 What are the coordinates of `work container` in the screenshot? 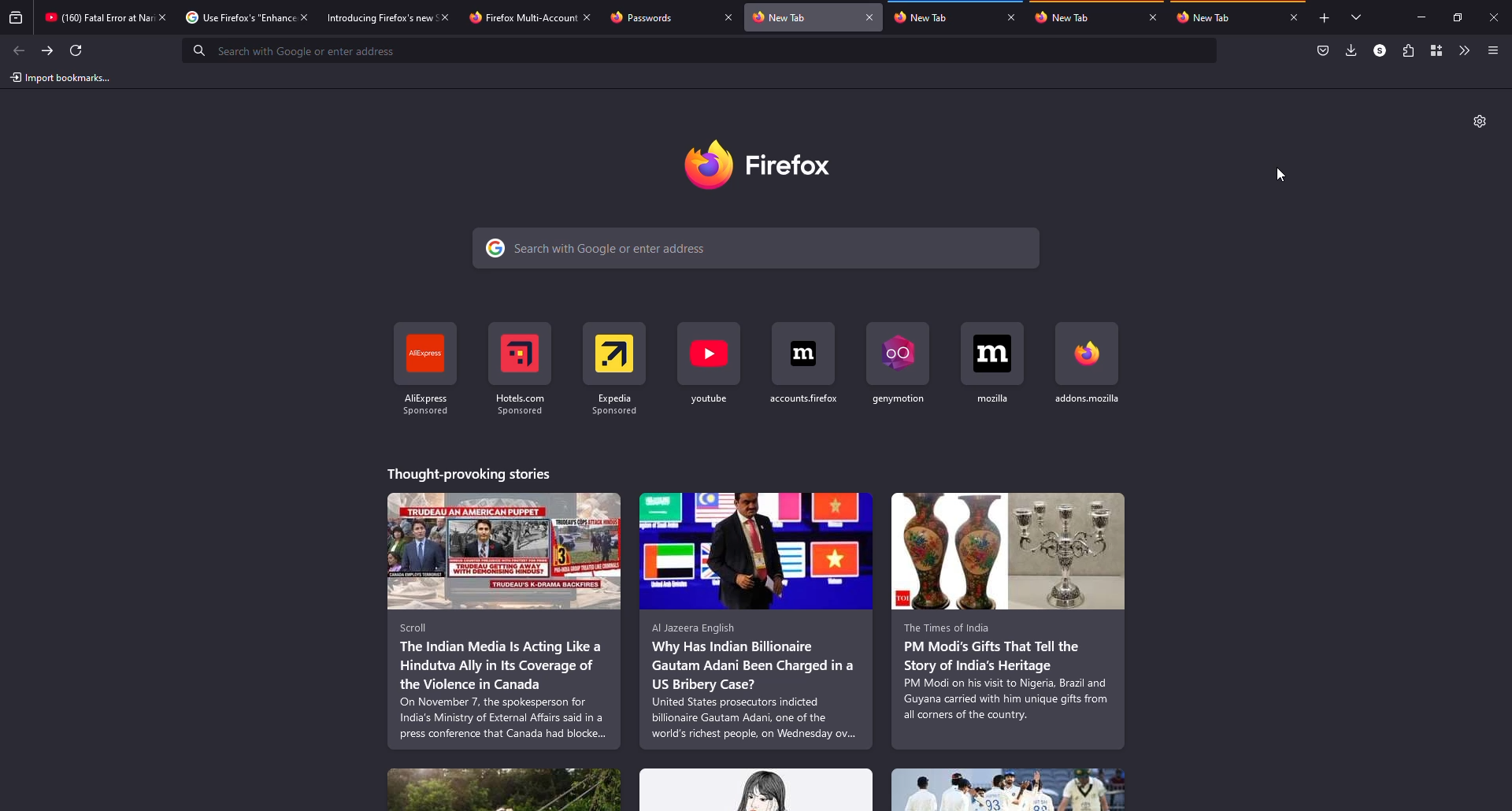 It's located at (1166, 3).